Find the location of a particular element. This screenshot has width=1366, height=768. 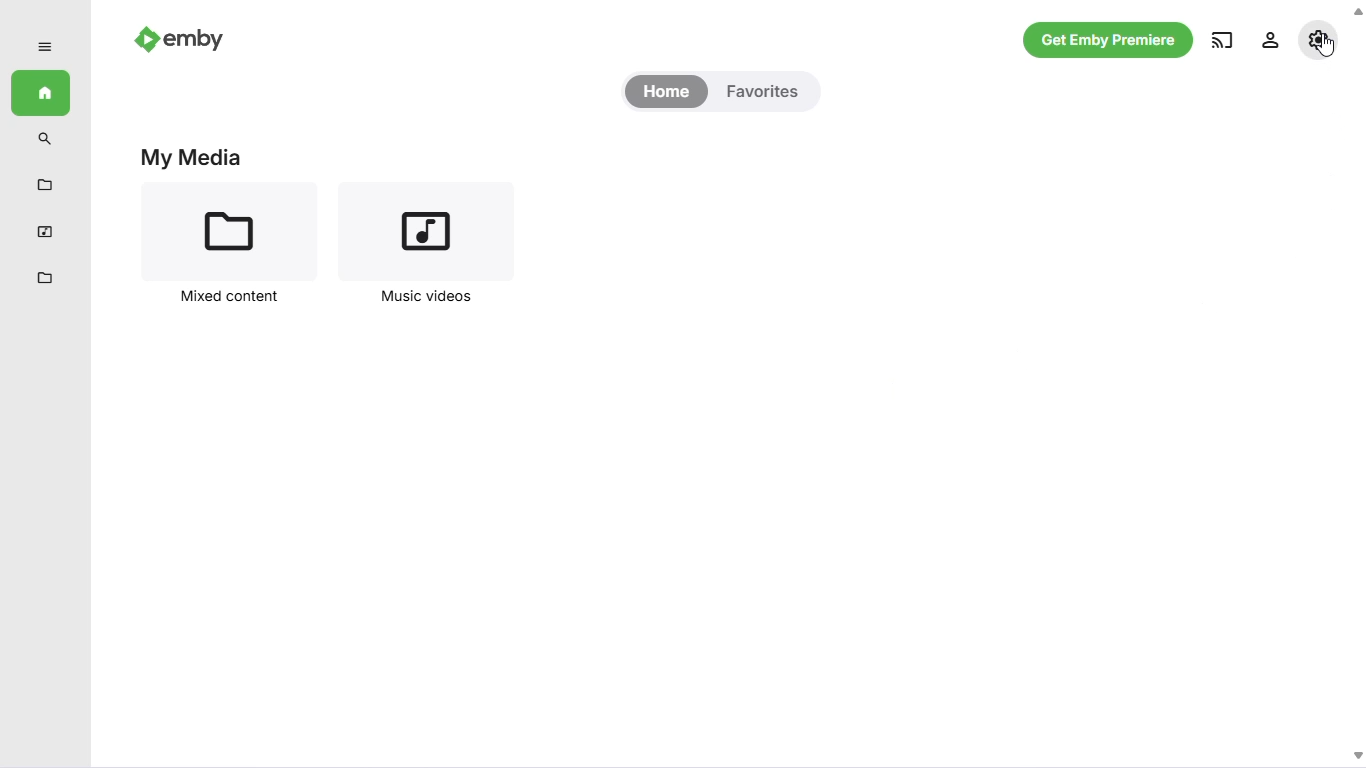

manage emby server is located at coordinates (1318, 38).